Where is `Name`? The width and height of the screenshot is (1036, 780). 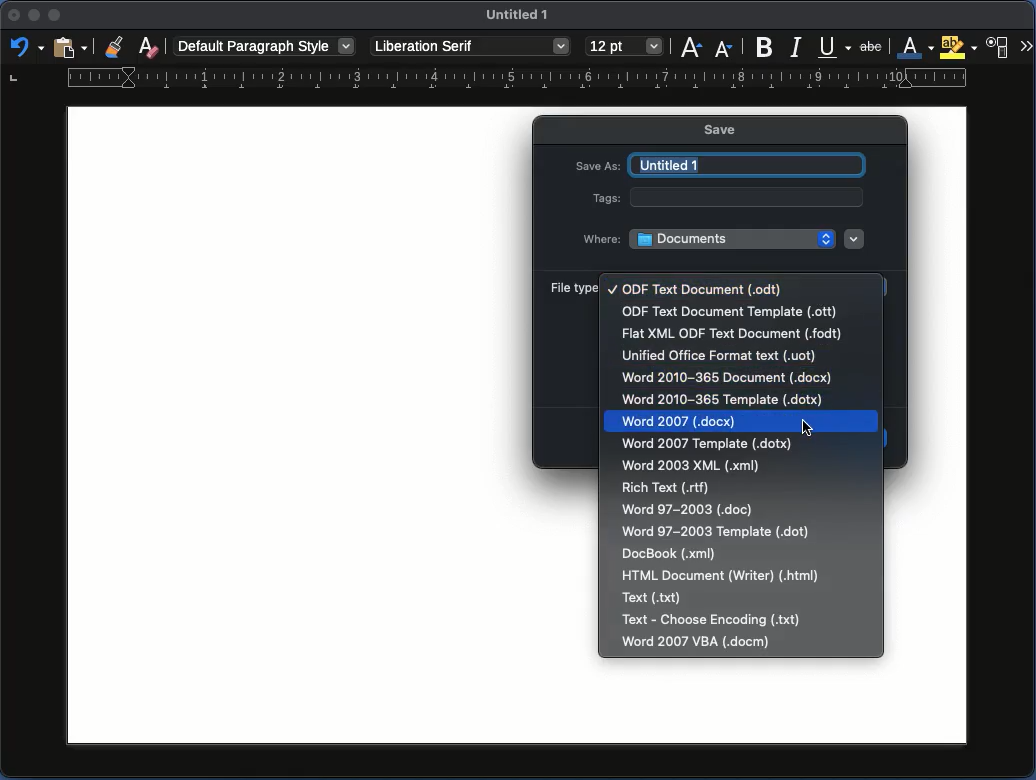
Name is located at coordinates (521, 18).